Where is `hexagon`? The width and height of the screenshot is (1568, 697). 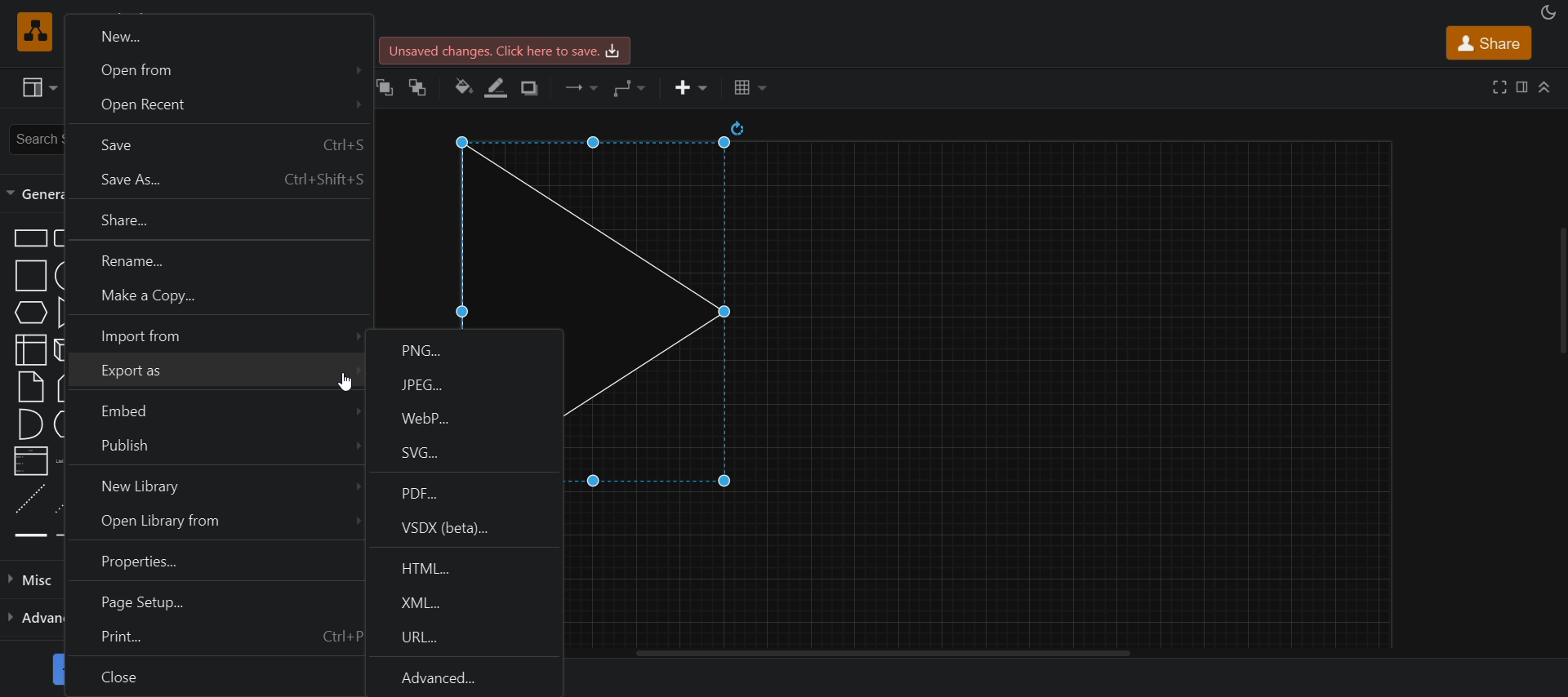
hexagon is located at coordinates (29, 313).